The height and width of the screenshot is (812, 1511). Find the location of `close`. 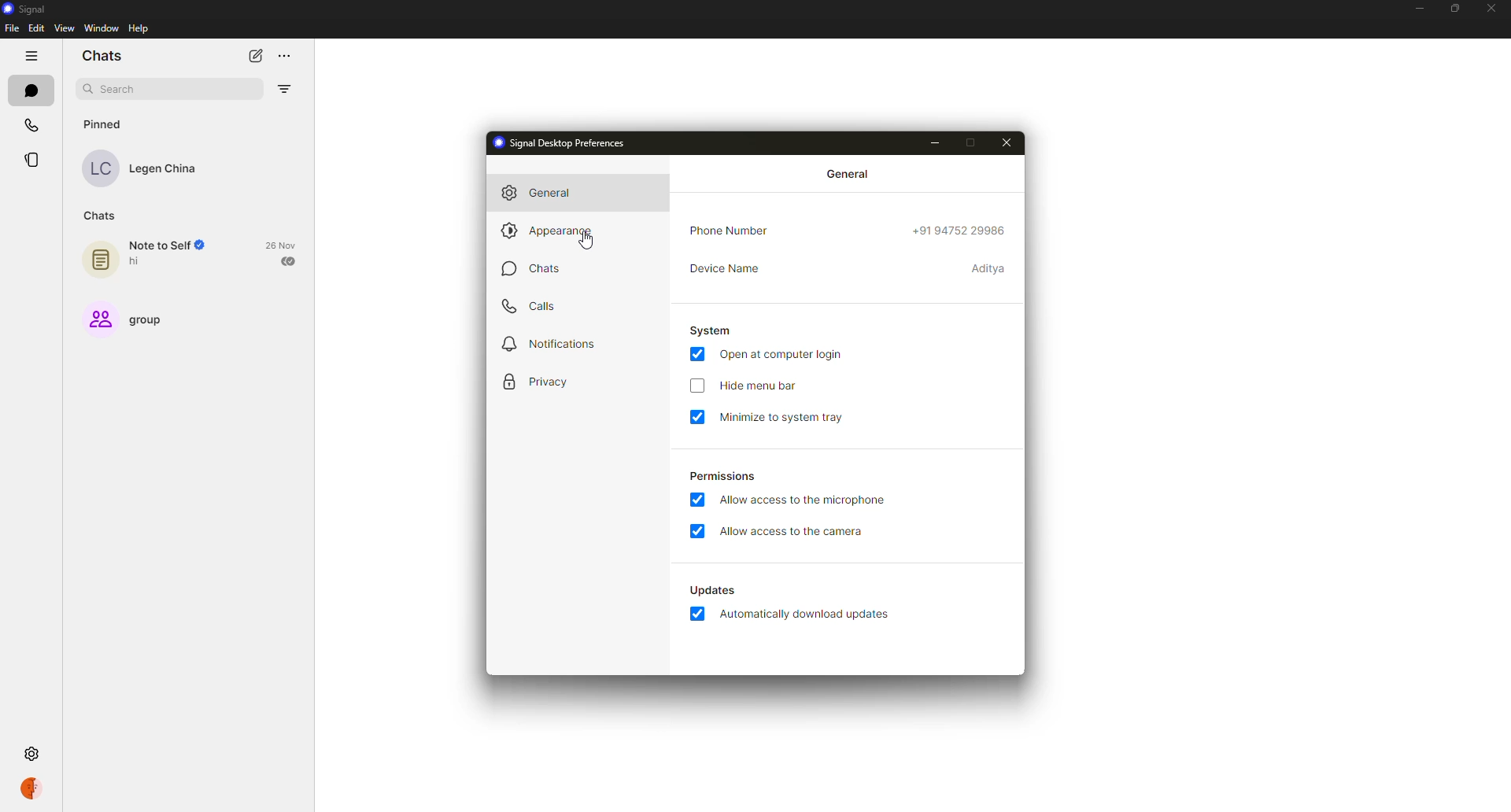

close is located at coordinates (1492, 6).